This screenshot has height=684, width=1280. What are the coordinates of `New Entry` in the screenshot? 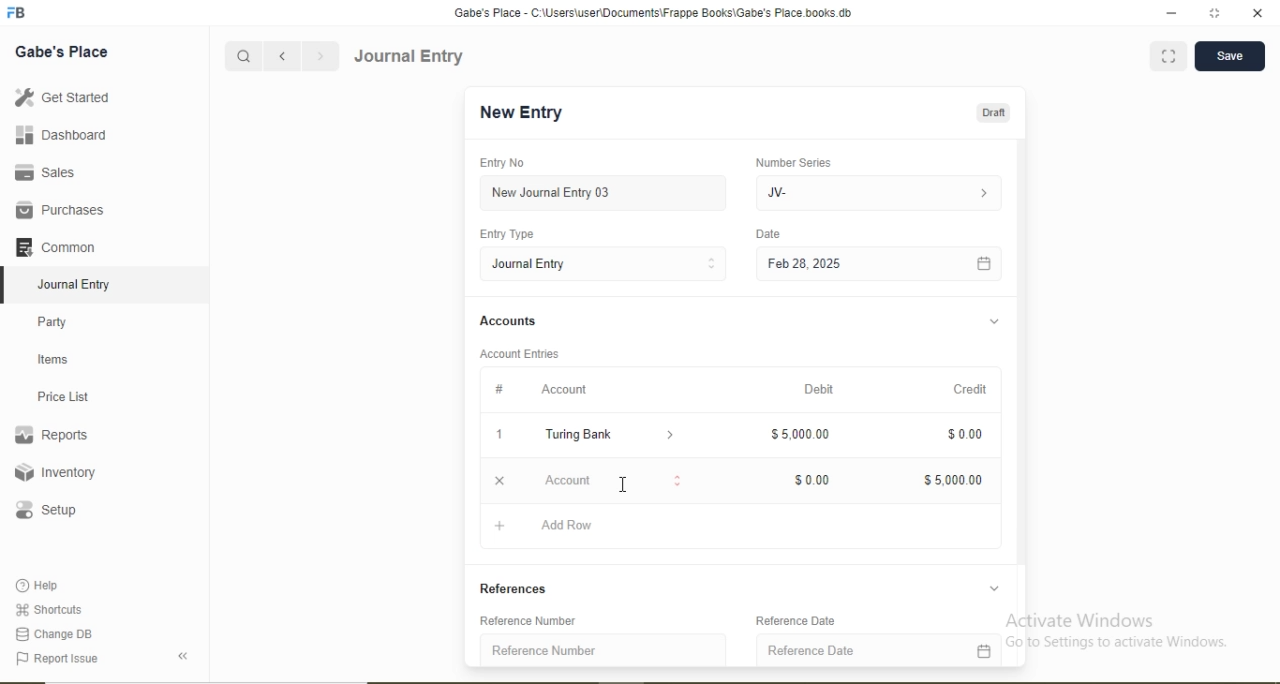 It's located at (520, 113).